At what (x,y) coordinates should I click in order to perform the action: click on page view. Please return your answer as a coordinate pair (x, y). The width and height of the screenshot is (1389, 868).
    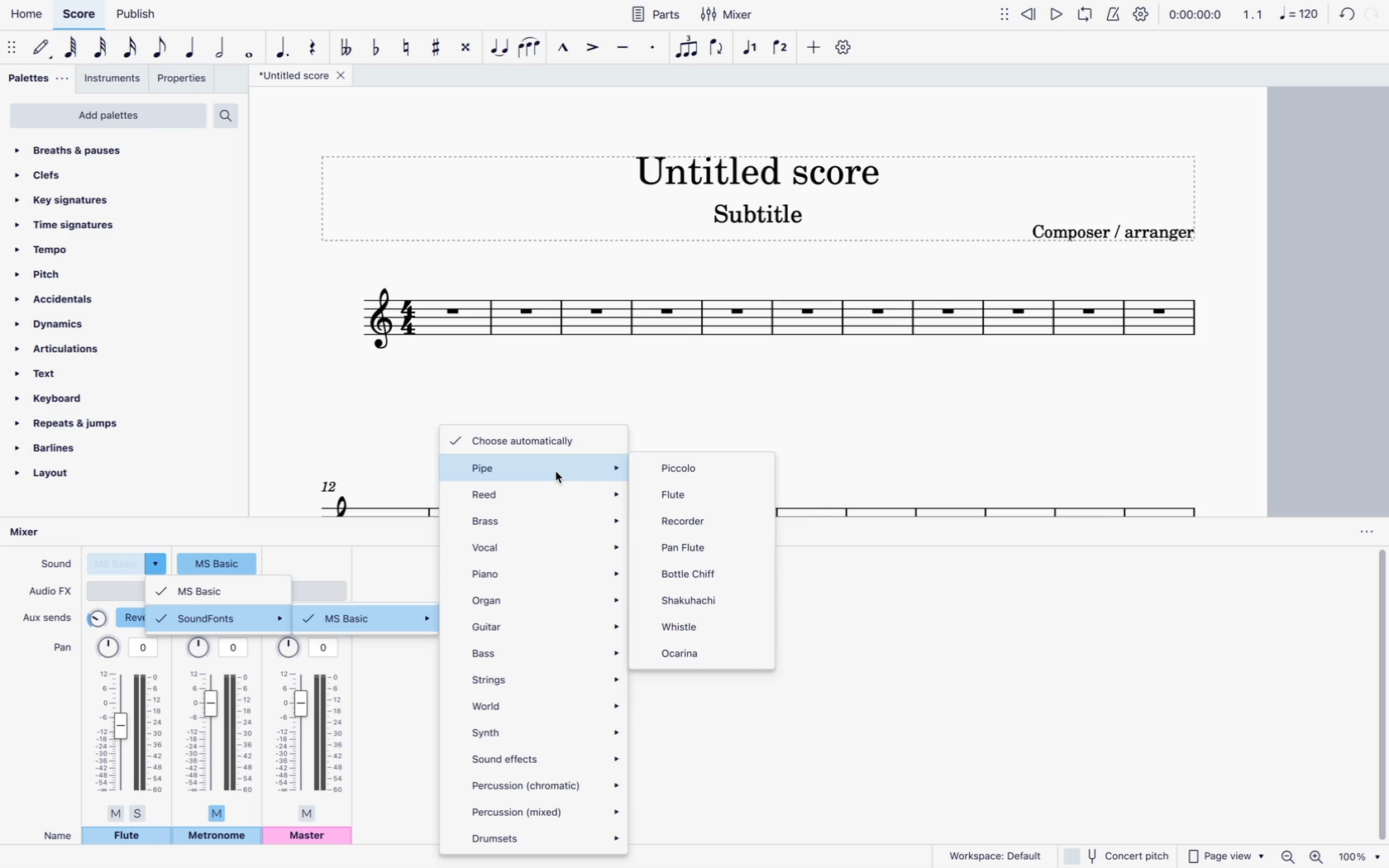
    Looking at the image, I should click on (1225, 853).